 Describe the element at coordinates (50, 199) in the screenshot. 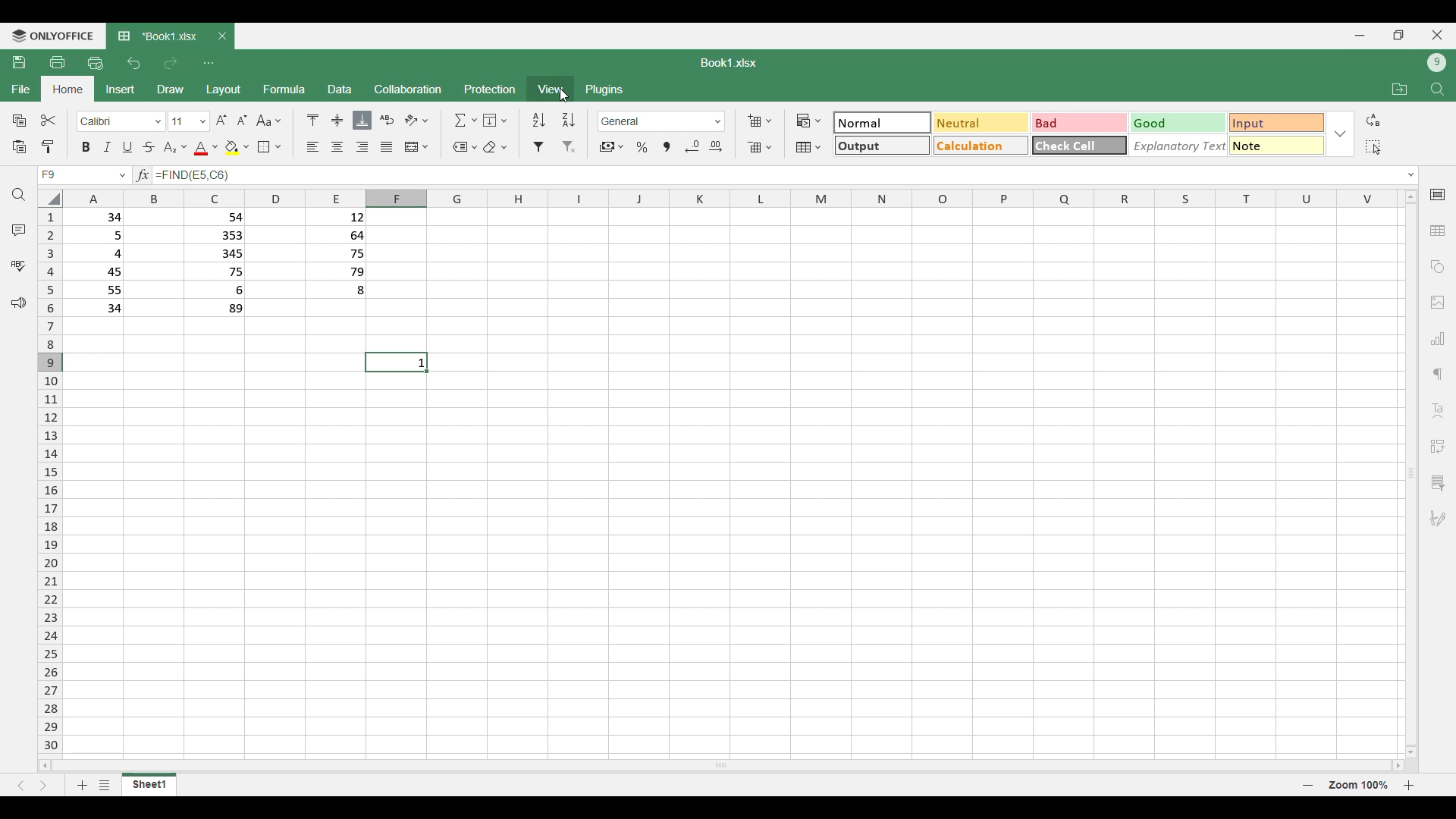

I see `Click to select all cells` at that location.